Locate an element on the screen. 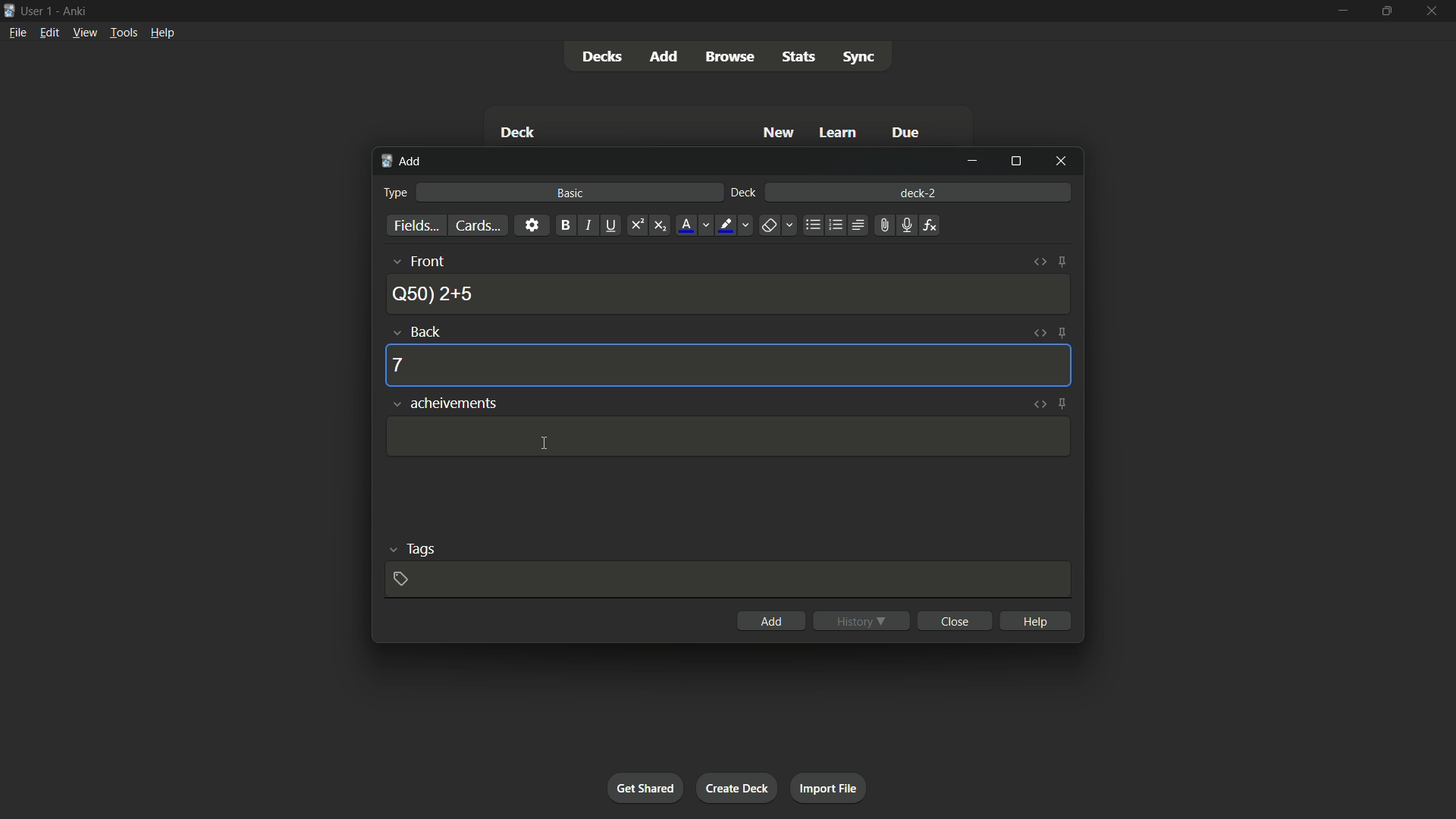 The width and height of the screenshot is (1456, 819). record audio is located at coordinates (906, 225).